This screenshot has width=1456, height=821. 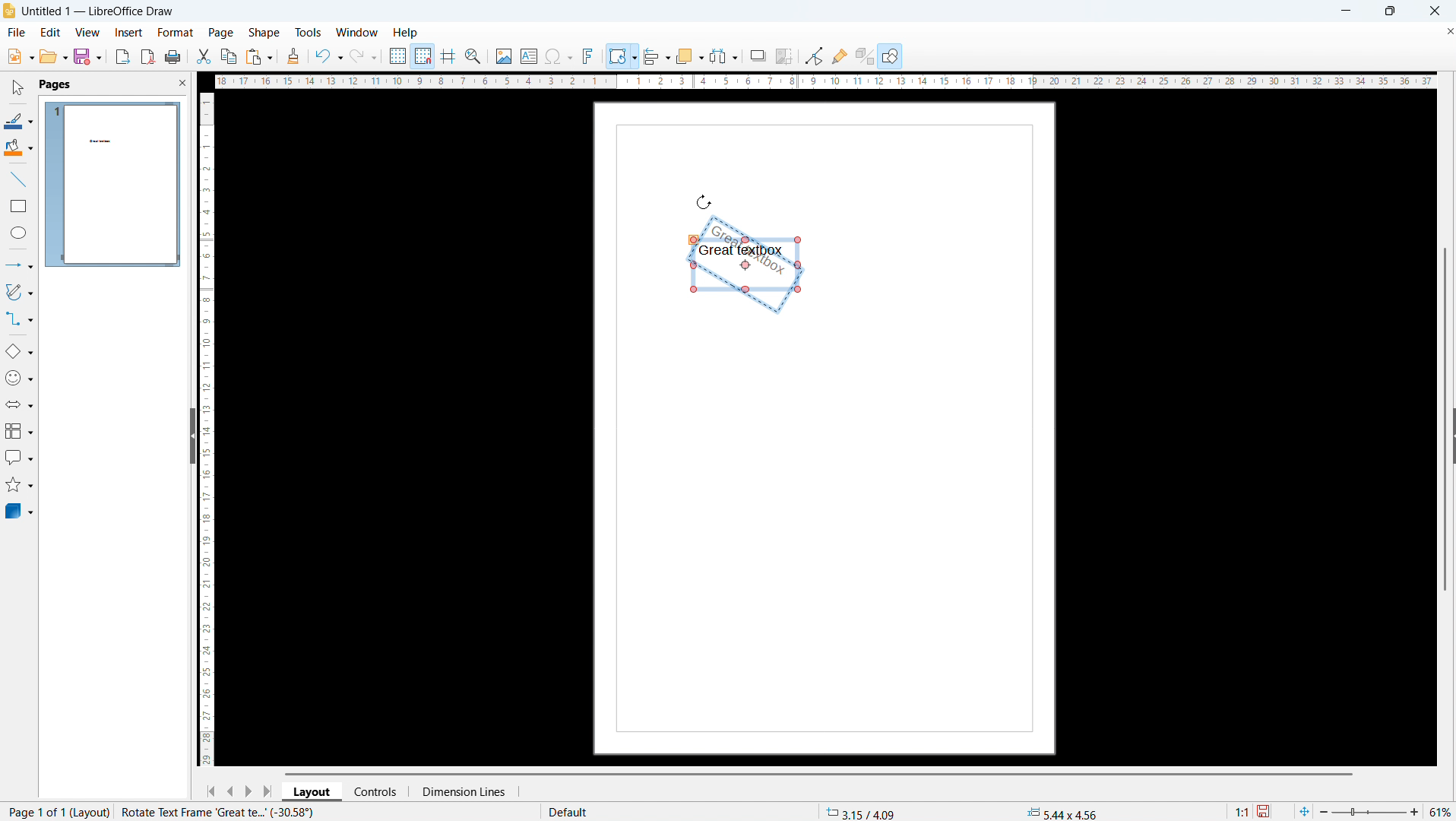 What do you see at coordinates (449, 56) in the screenshot?
I see `guidelines while moving` at bounding box center [449, 56].